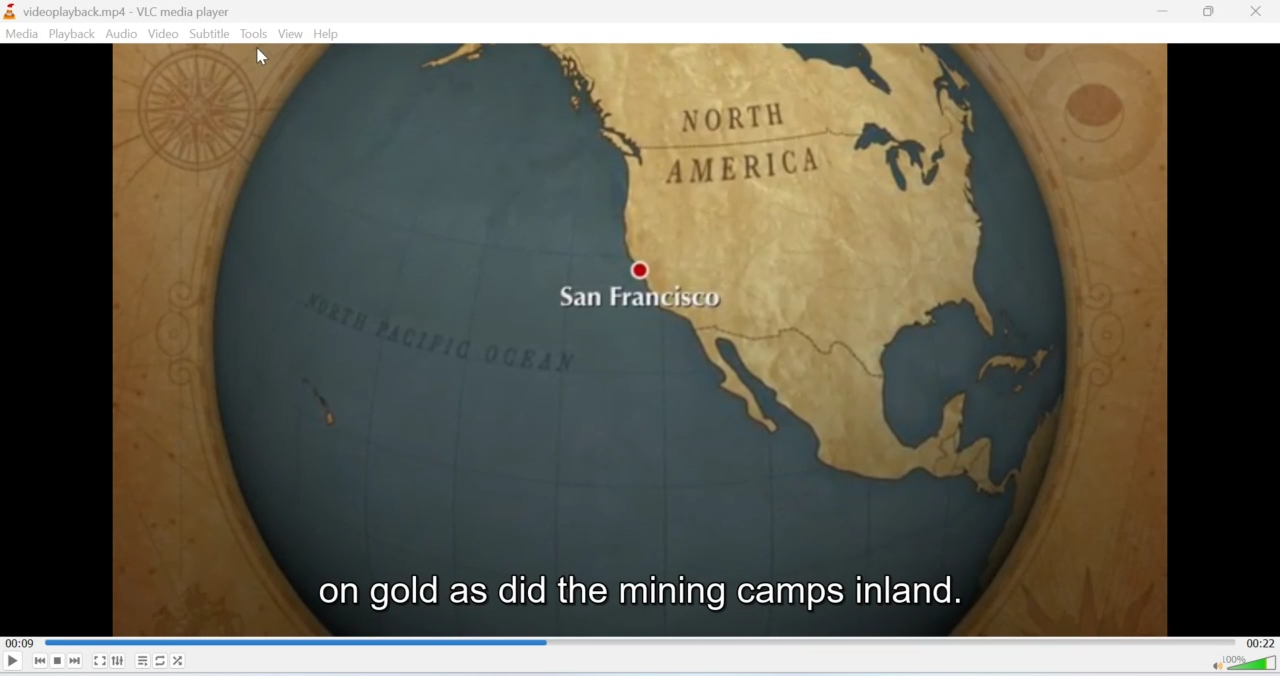 The image size is (1280, 676). I want to click on minimise, so click(1165, 12).